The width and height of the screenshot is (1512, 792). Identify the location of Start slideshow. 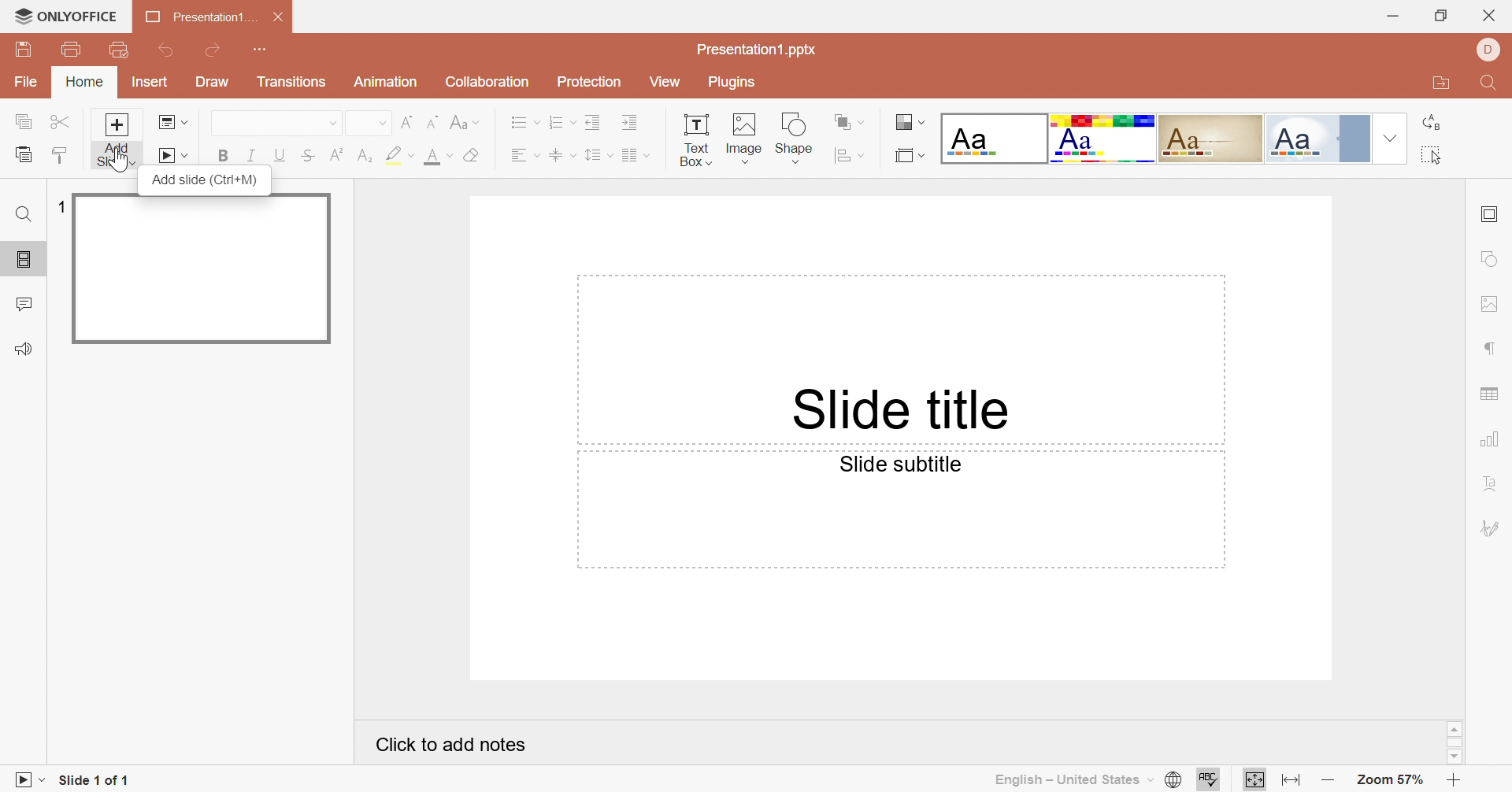
(171, 156).